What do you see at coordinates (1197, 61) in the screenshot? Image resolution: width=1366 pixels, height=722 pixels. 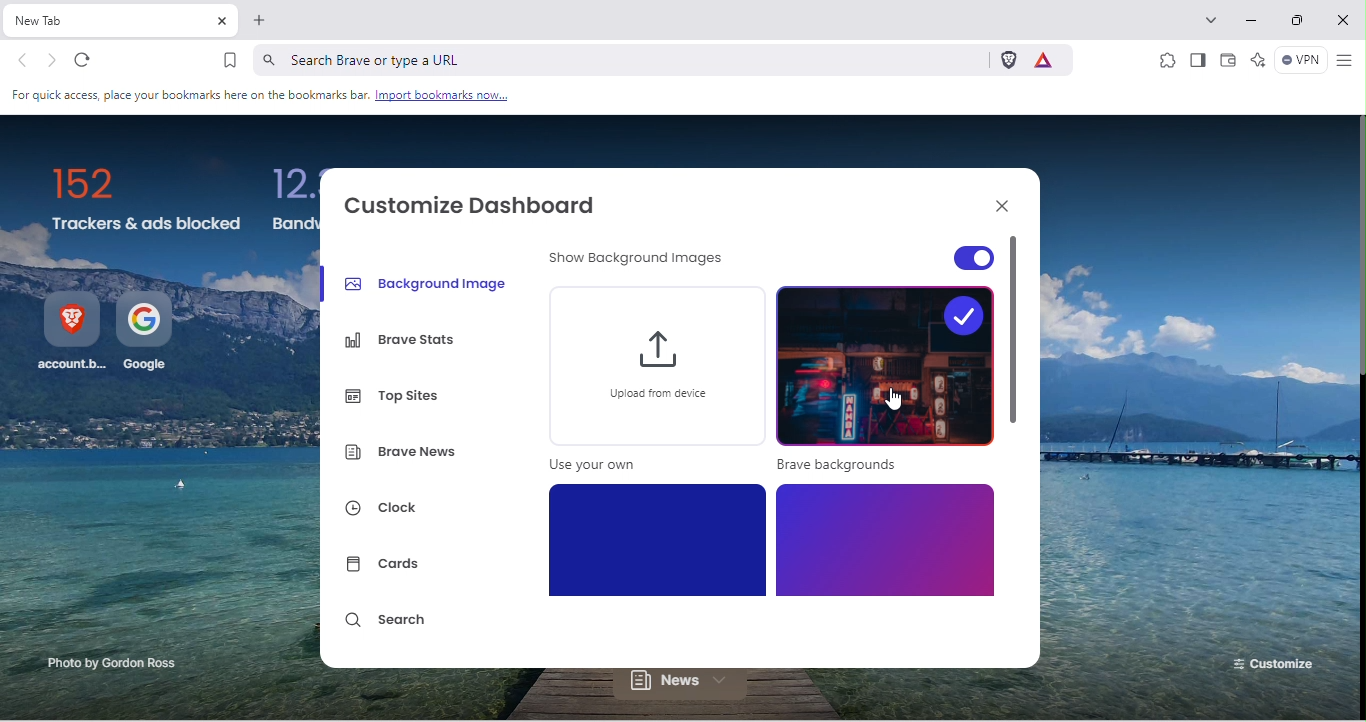 I see `Show sidebar` at bounding box center [1197, 61].